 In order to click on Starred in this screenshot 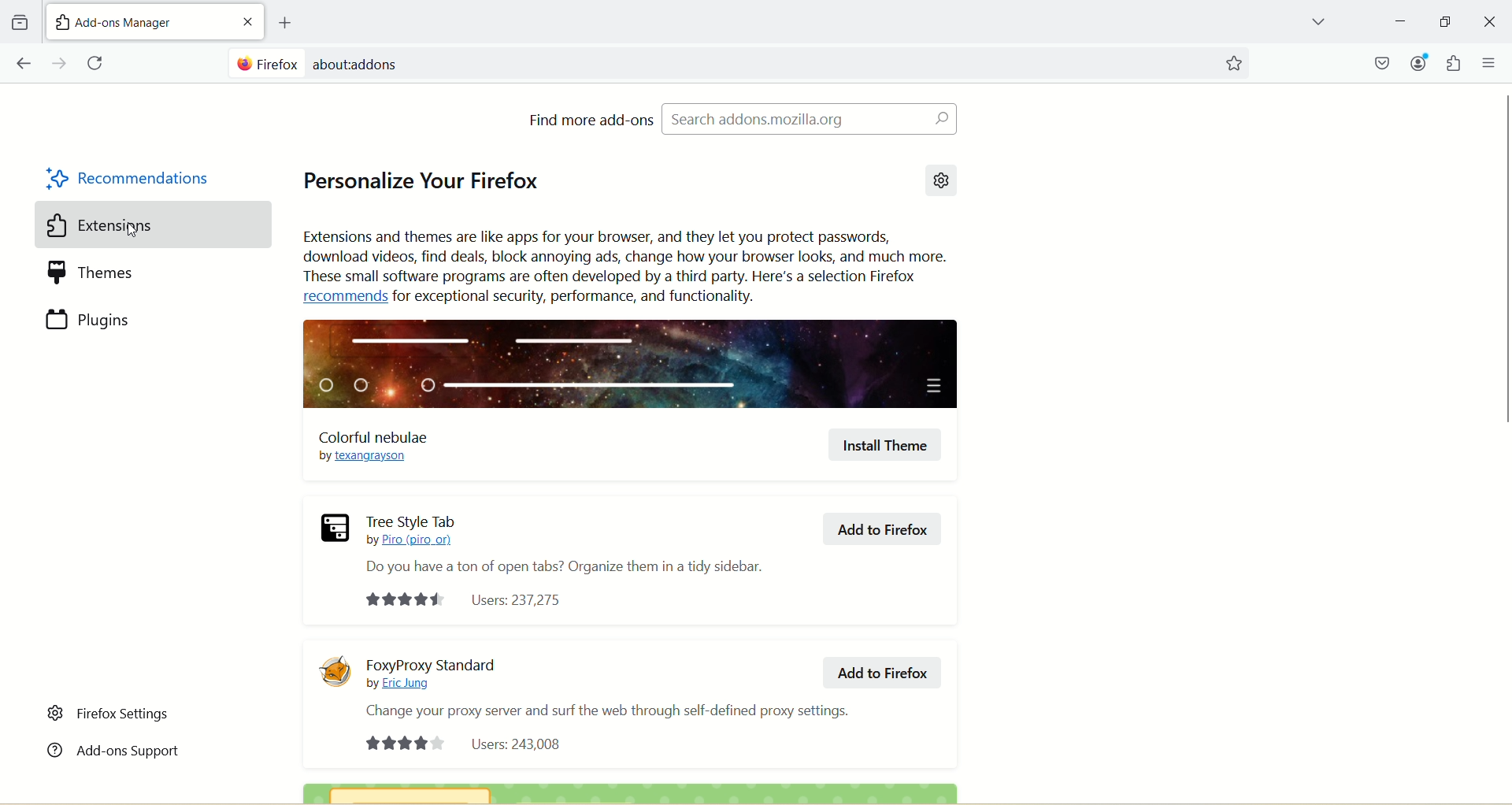, I will do `click(1233, 64)`.